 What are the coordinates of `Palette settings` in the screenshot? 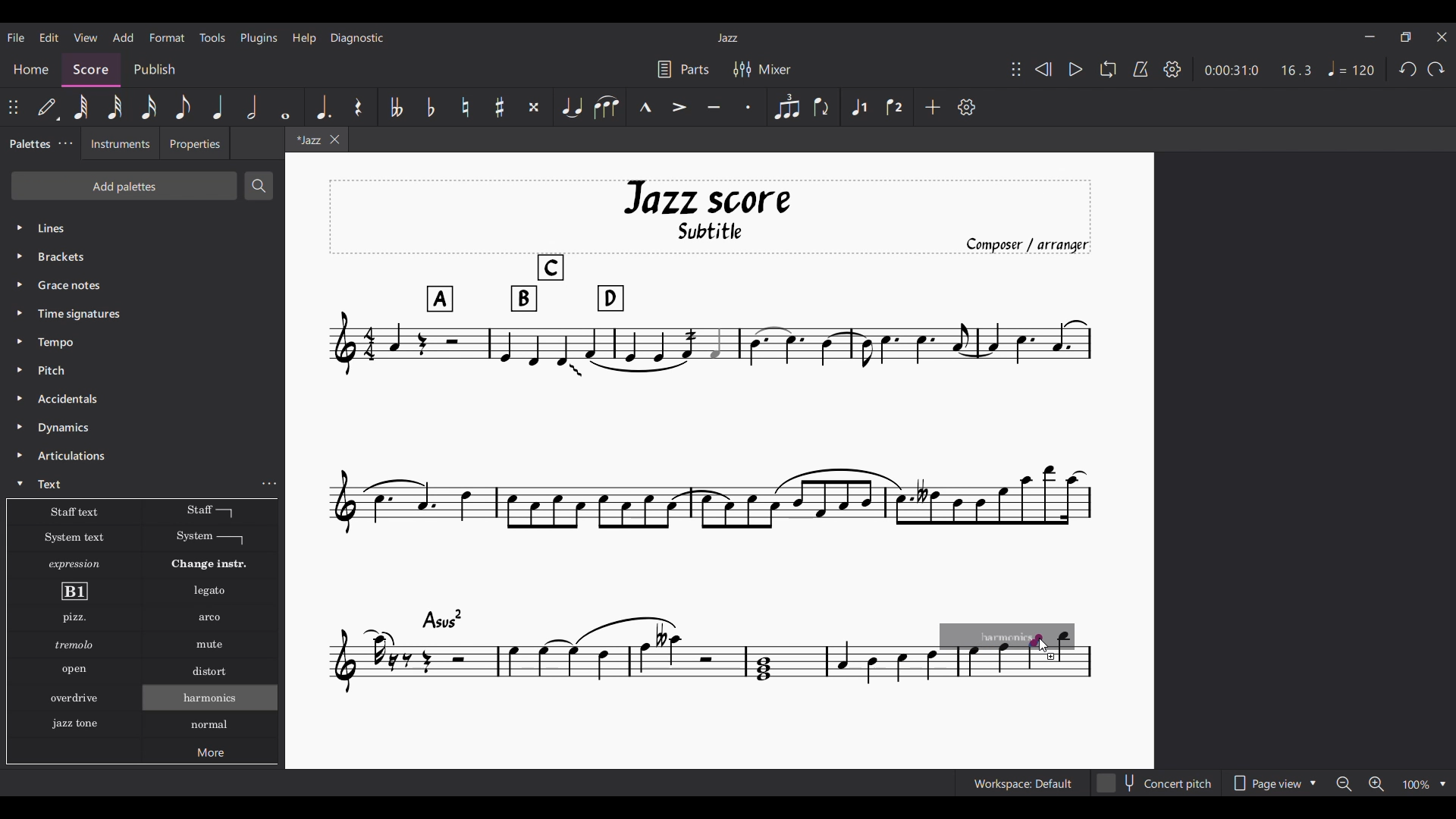 It's located at (65, 143).